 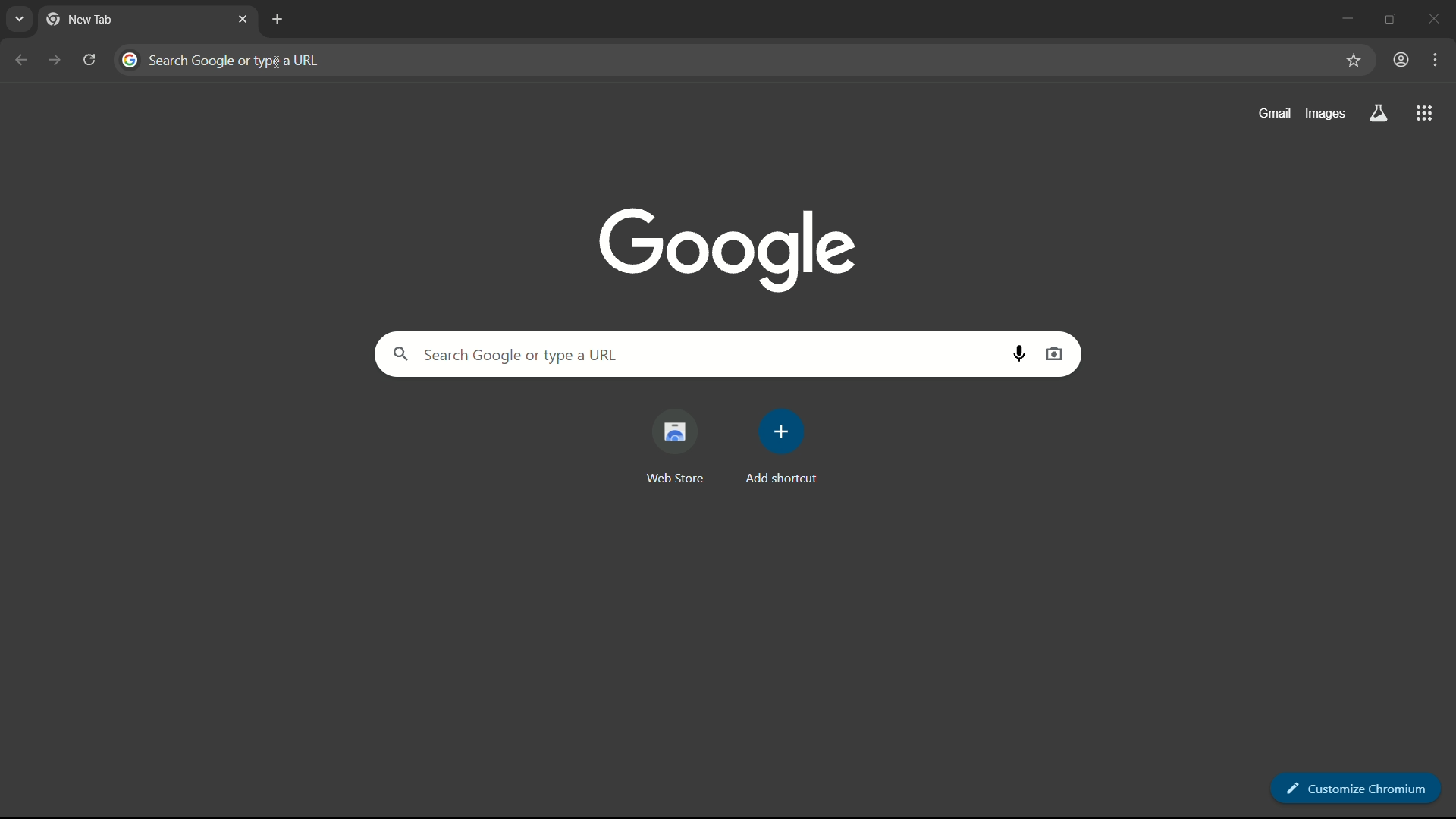 I want to click on reload, so click(x=88, y=58).